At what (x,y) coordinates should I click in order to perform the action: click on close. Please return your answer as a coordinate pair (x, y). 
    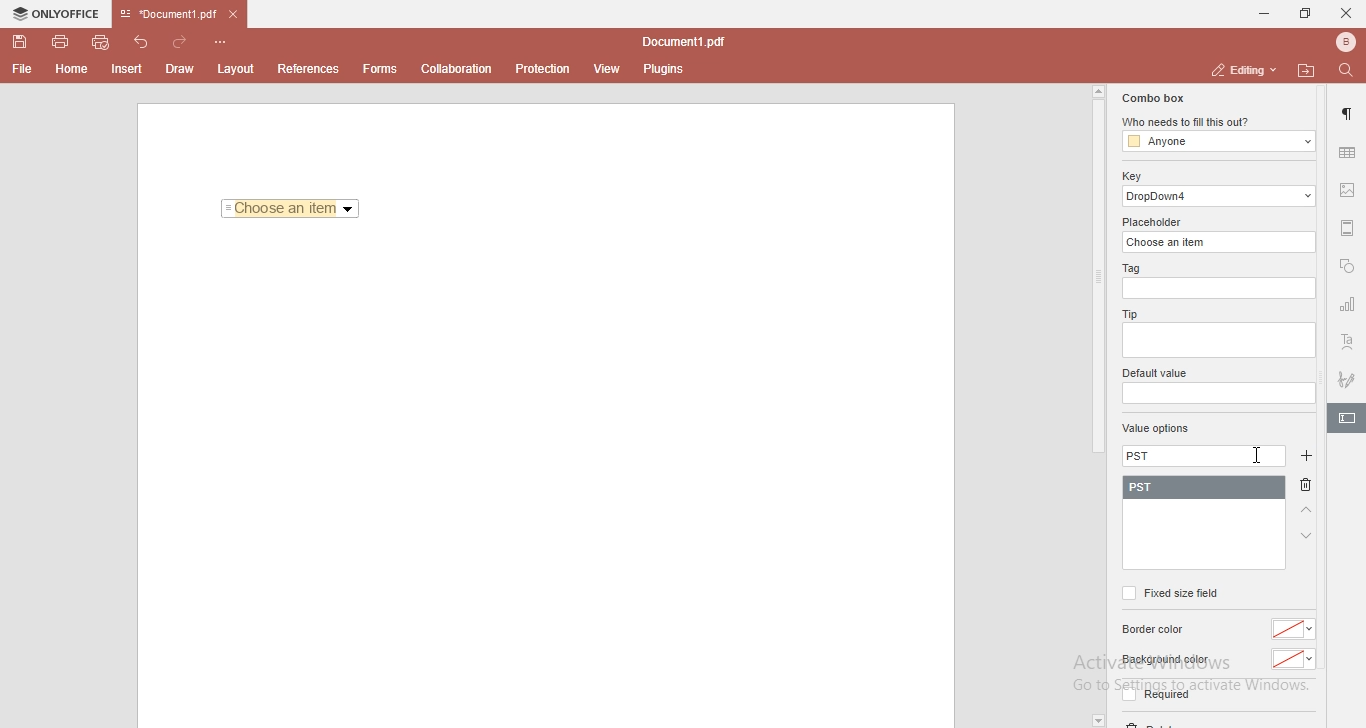
    Looking at the image, I should click on (1346, 12).